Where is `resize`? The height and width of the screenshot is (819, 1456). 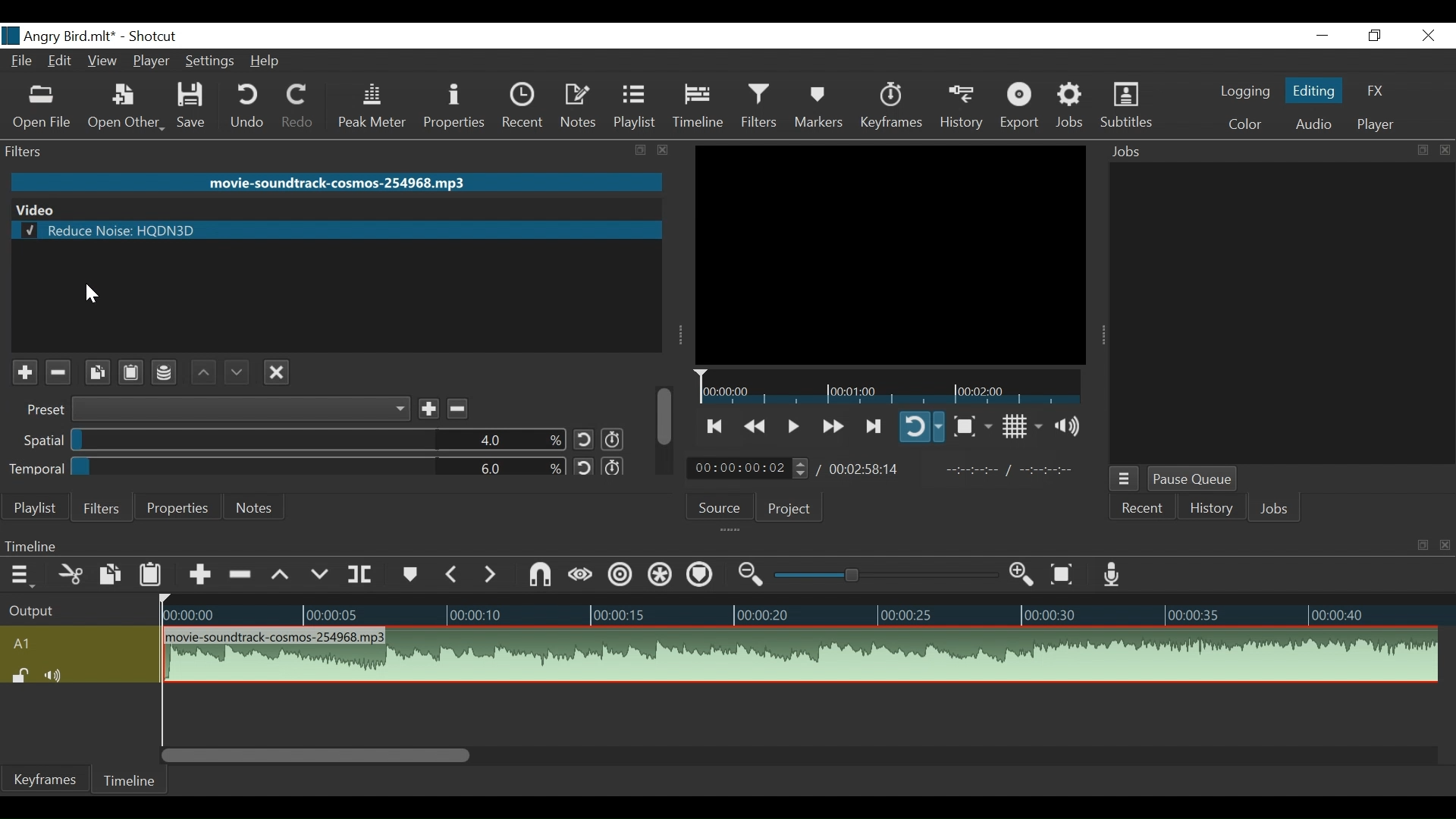
resize is located at coordinates (1421, 546).